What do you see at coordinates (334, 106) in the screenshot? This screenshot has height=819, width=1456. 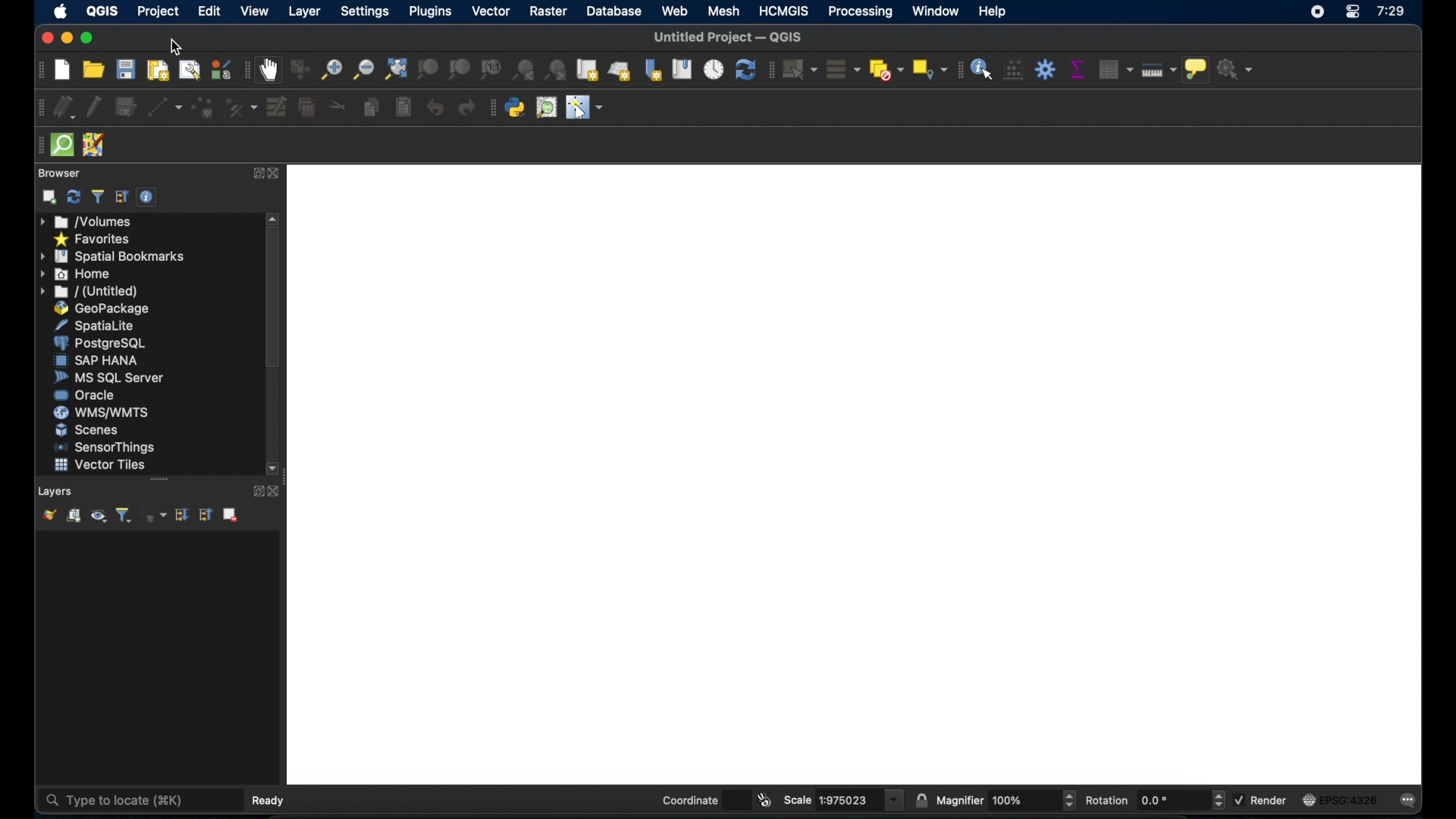 I see `cut features` at bounding box center [334, 106].